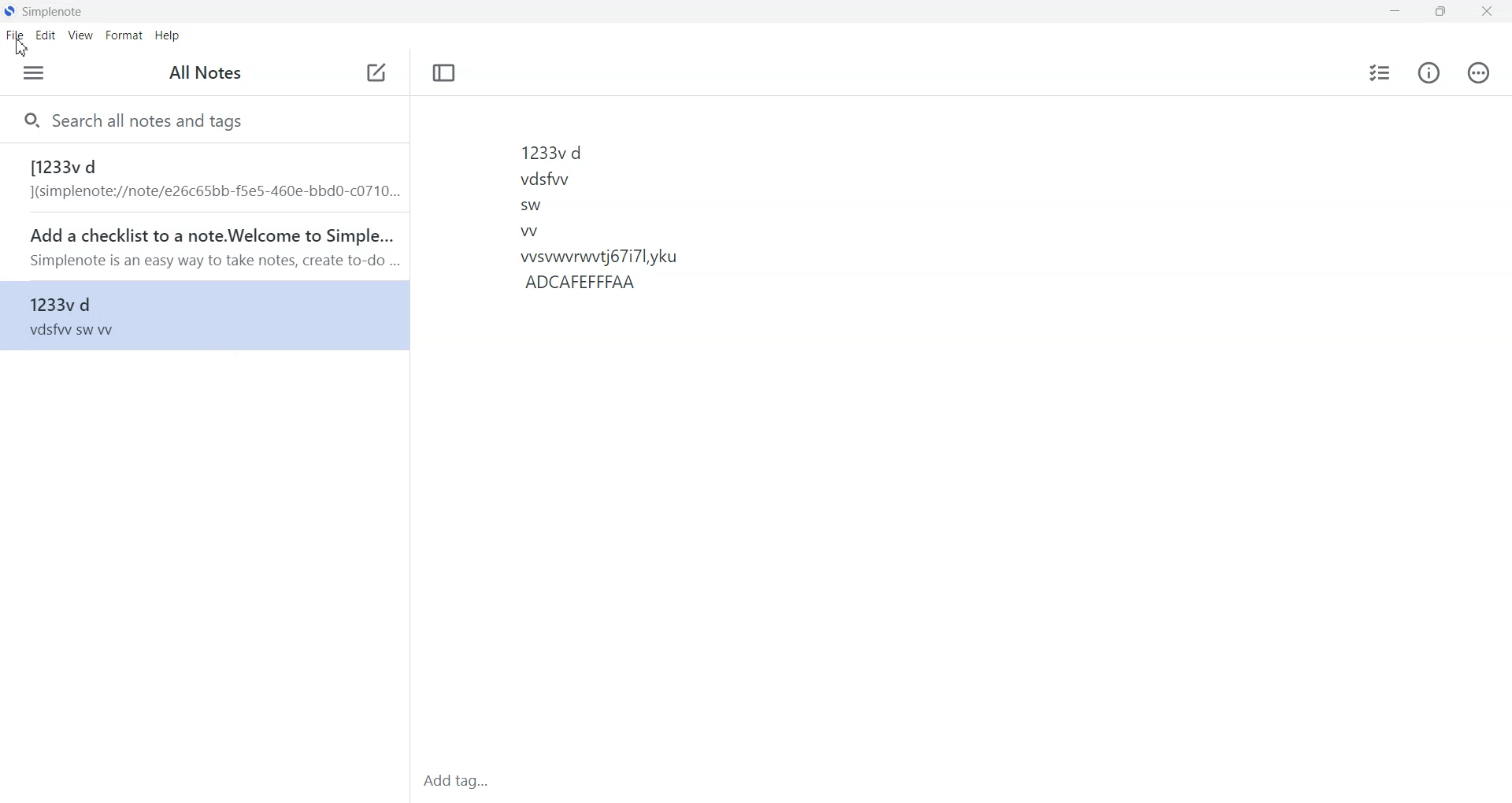  Describe the element at coordinates (376, 73) in the screenshot. I see `Add note` at that location.